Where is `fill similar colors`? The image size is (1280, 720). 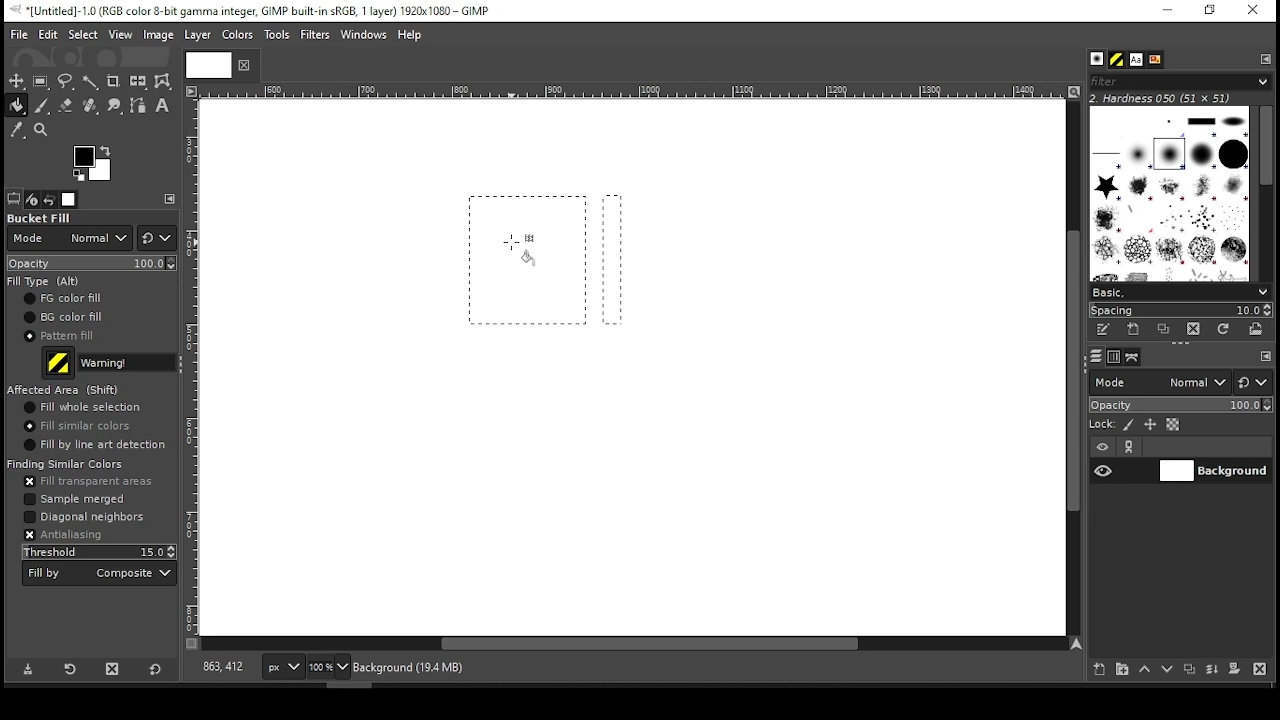 fill similar colors is located at coordinates (75, 426).